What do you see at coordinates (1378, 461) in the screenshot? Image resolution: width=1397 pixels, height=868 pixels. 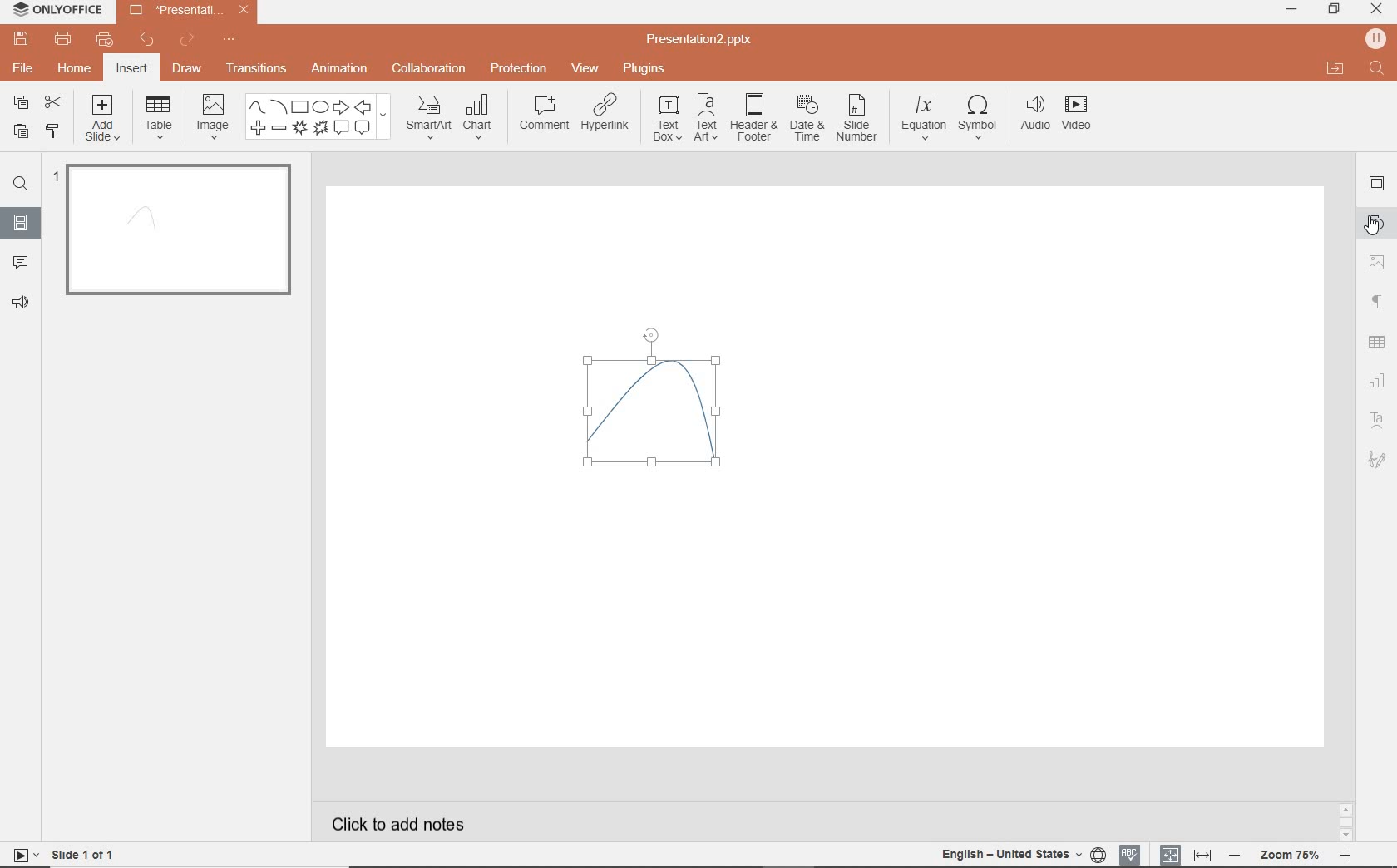 I see `SIGNATURE` at bounding box center [1378, 461].